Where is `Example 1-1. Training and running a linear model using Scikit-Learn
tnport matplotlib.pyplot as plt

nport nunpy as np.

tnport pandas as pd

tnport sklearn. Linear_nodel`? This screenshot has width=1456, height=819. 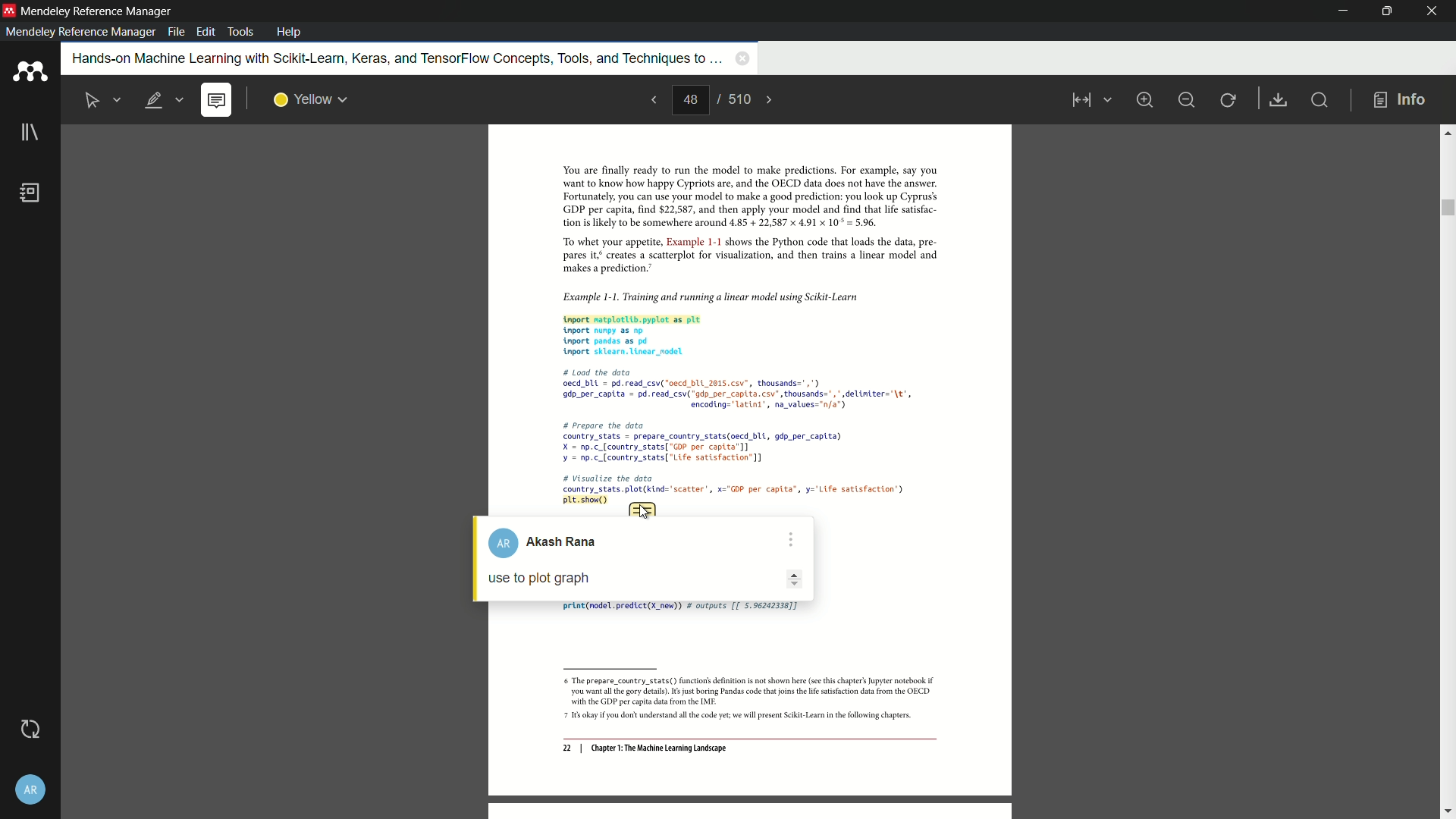
Example 1-1. Training and running a linear model using Scikit-Learn
tnport matplotlib.pyplot as plt

nport nunpy as np.

tnport pandas as pd

tnport sklearn. Linear_nodel is located at coordinates (740, 322).